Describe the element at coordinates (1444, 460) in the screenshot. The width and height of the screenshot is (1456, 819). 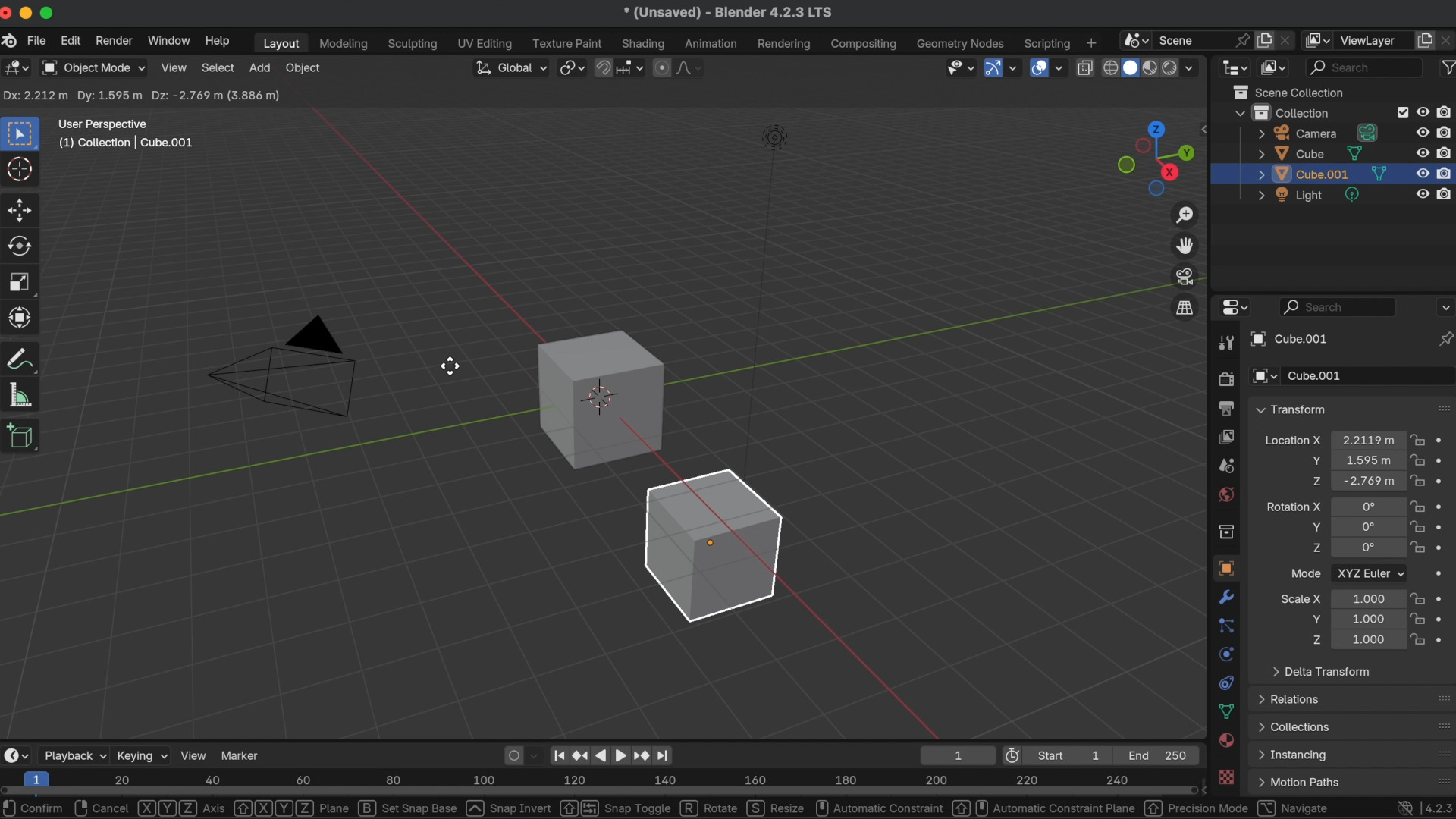
I see `animate property` at that location.